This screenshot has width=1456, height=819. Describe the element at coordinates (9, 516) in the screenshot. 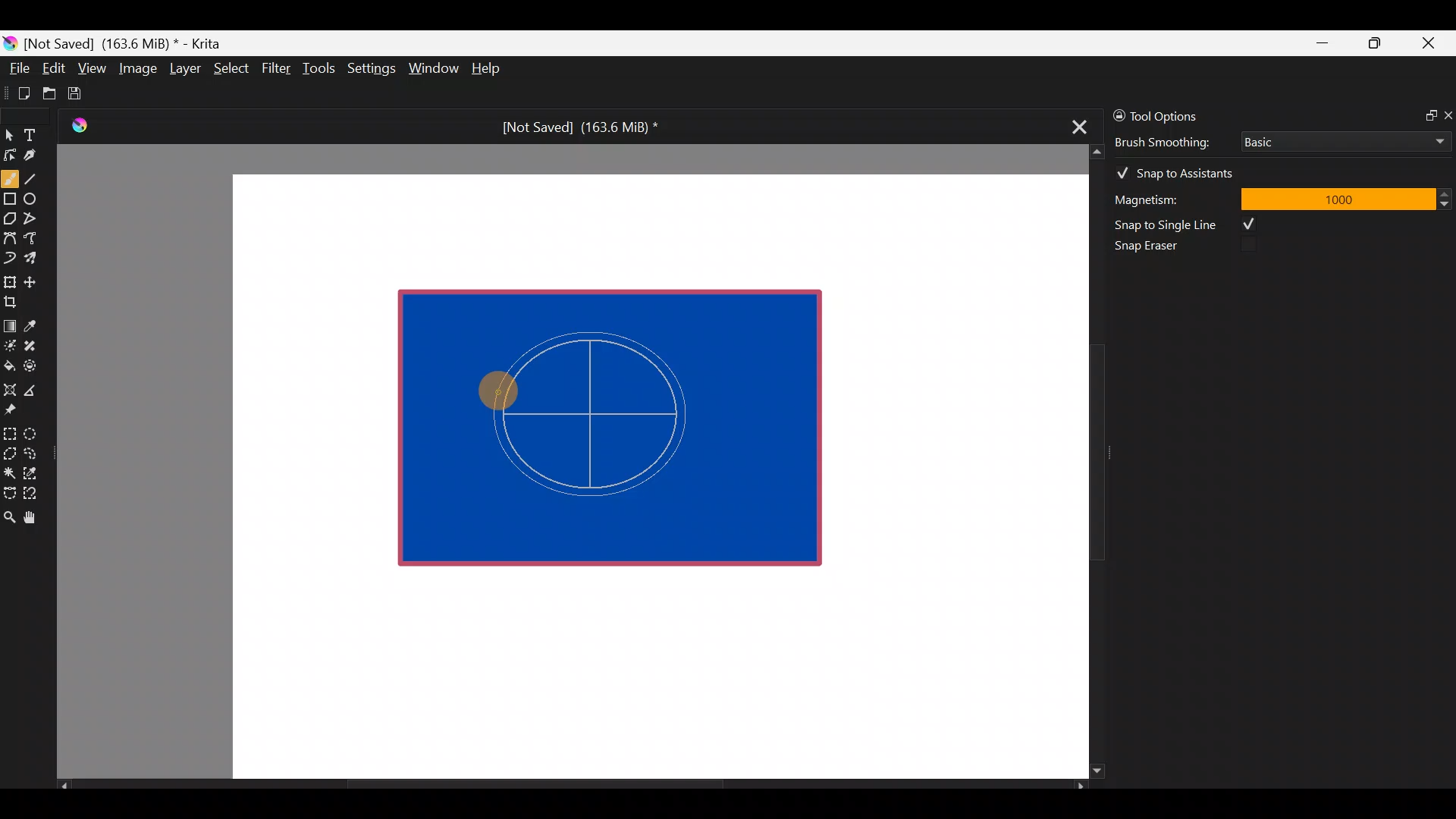

I see `Zoom tool` at that location.